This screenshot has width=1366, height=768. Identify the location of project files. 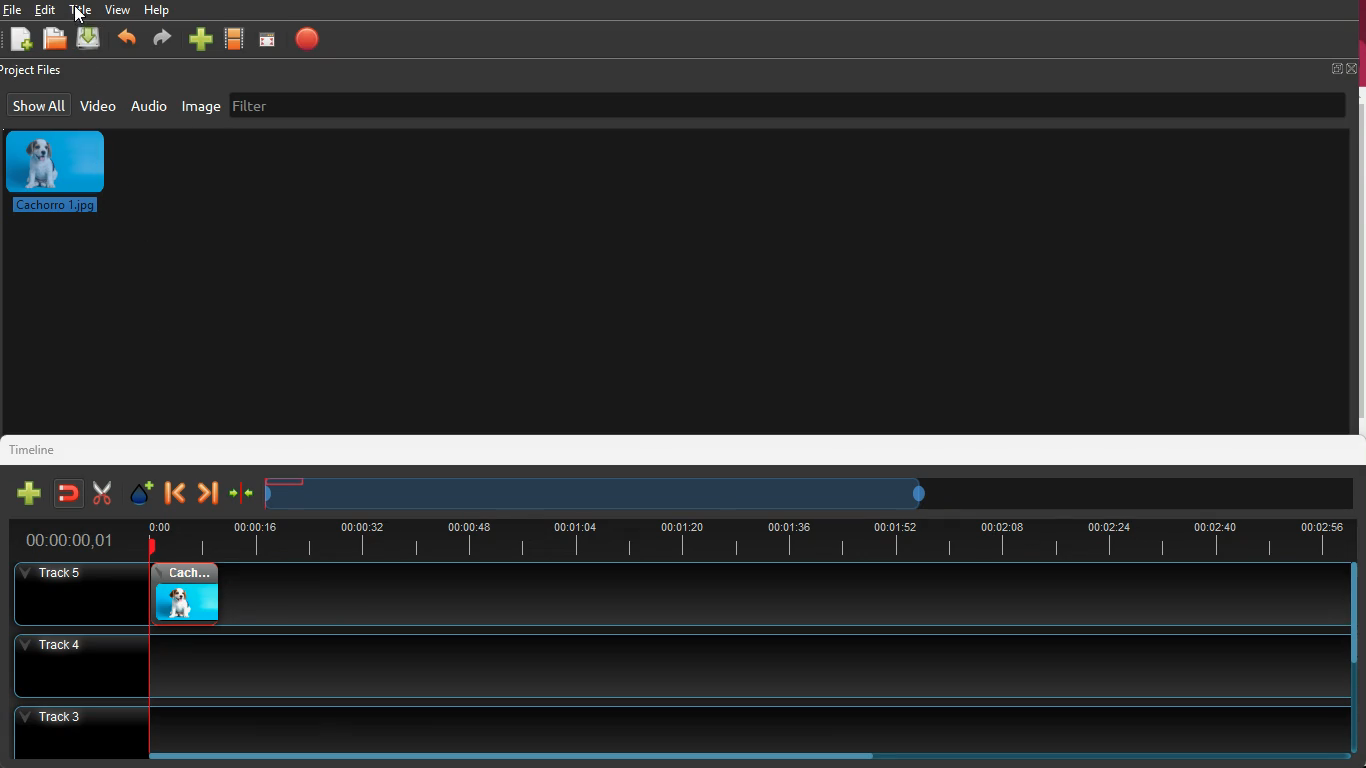
(36, 71).